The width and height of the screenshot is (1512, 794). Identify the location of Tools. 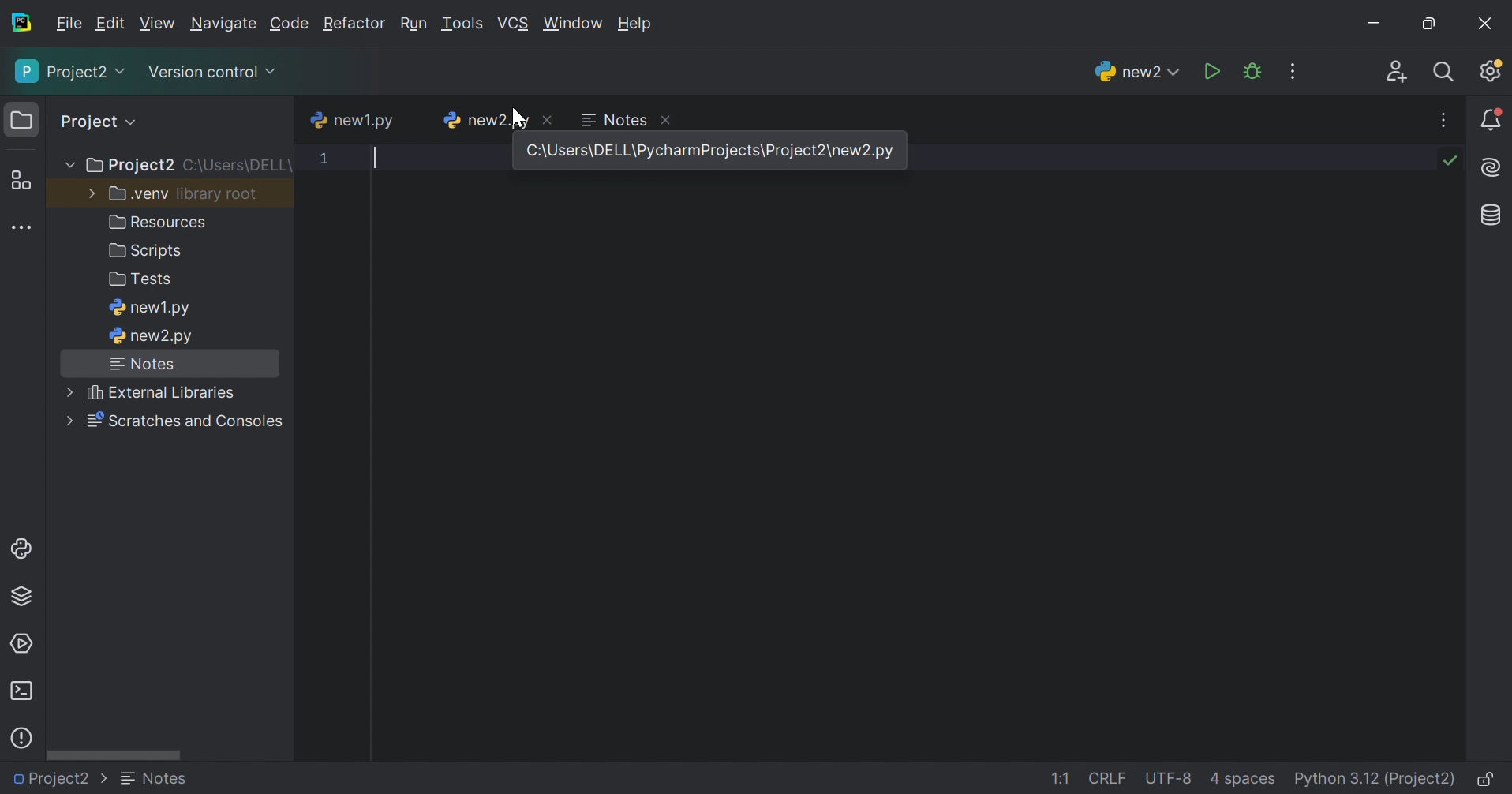
(462, 24).